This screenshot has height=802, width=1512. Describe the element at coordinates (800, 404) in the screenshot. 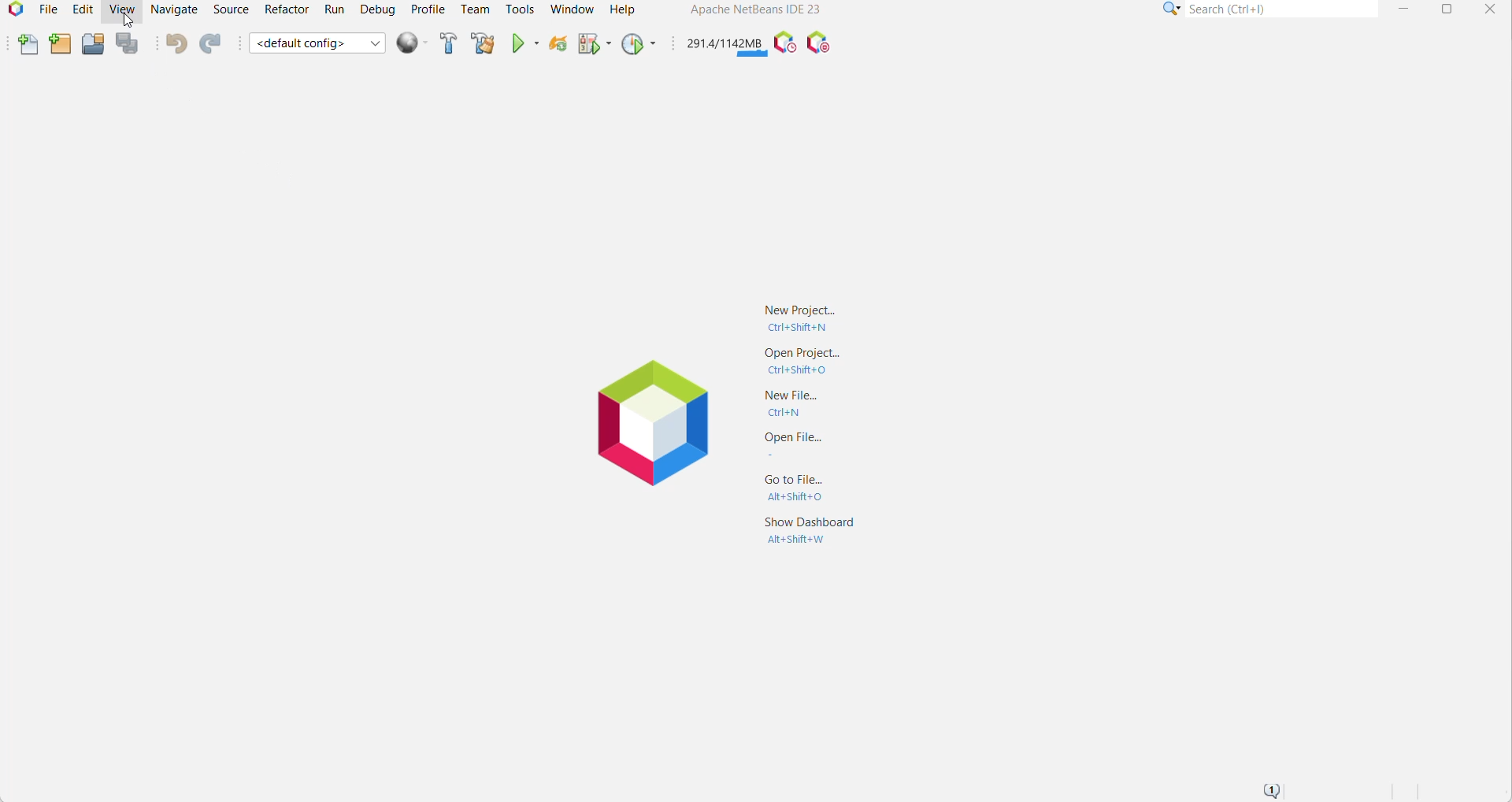

I see `New File` at that location.